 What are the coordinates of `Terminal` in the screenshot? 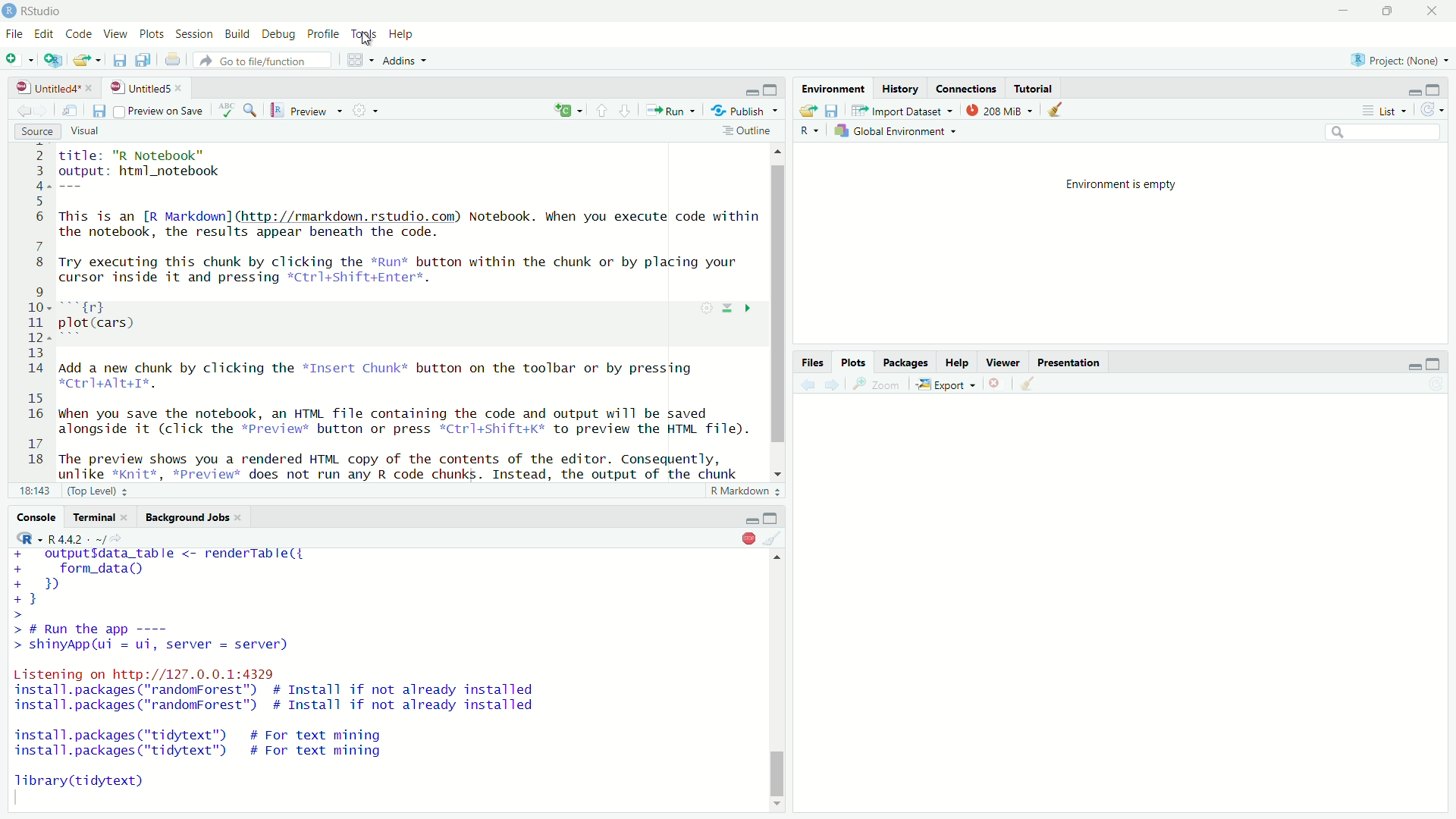 It's located at (100, 517).